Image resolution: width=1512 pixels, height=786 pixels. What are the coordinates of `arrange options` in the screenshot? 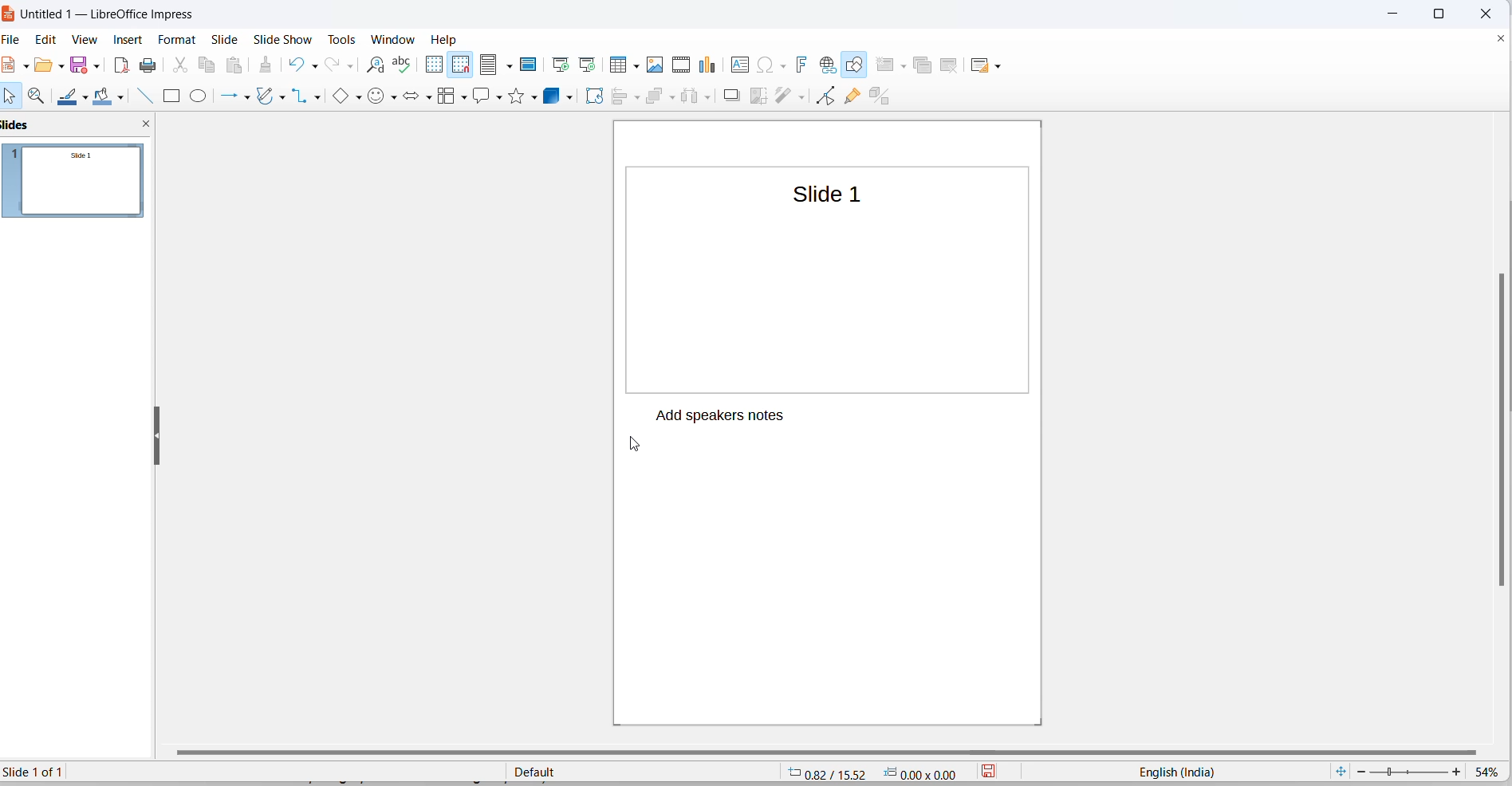 It's located at (675, 96).